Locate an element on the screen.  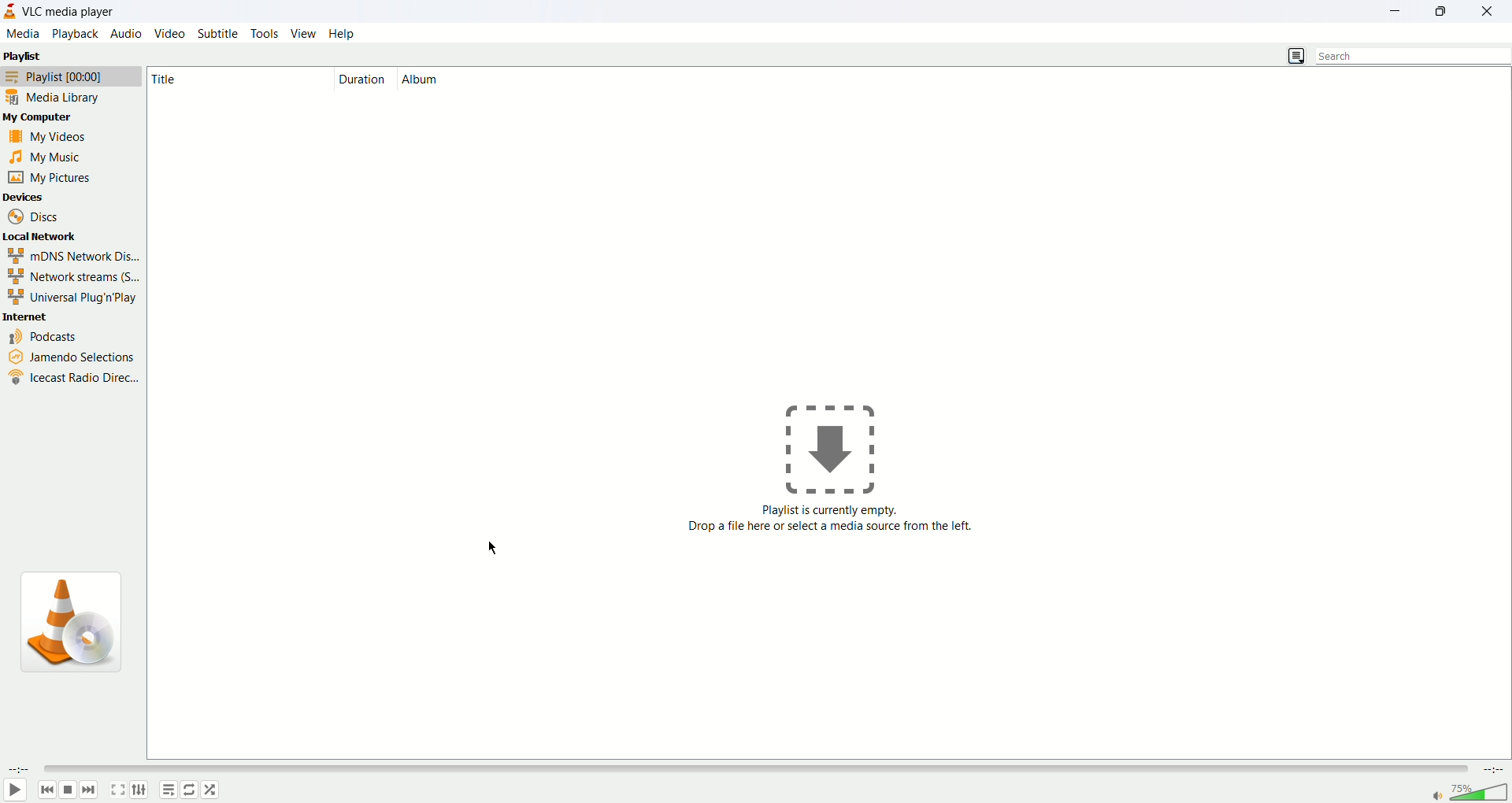
random is located at coordinates (210, 790).